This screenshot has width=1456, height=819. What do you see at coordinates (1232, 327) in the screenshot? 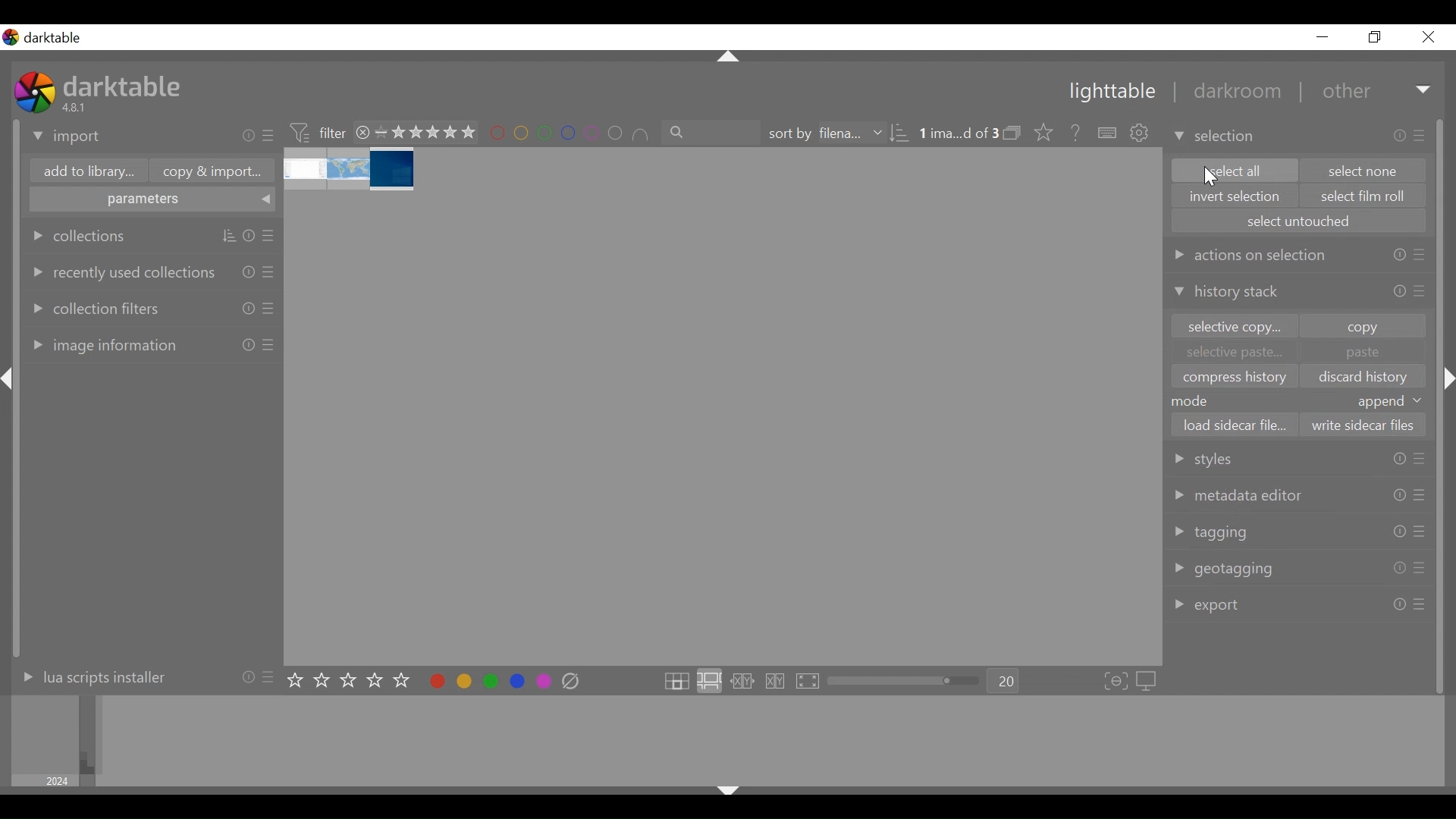
I see `selection copy` at bounding box center [1232, 327].